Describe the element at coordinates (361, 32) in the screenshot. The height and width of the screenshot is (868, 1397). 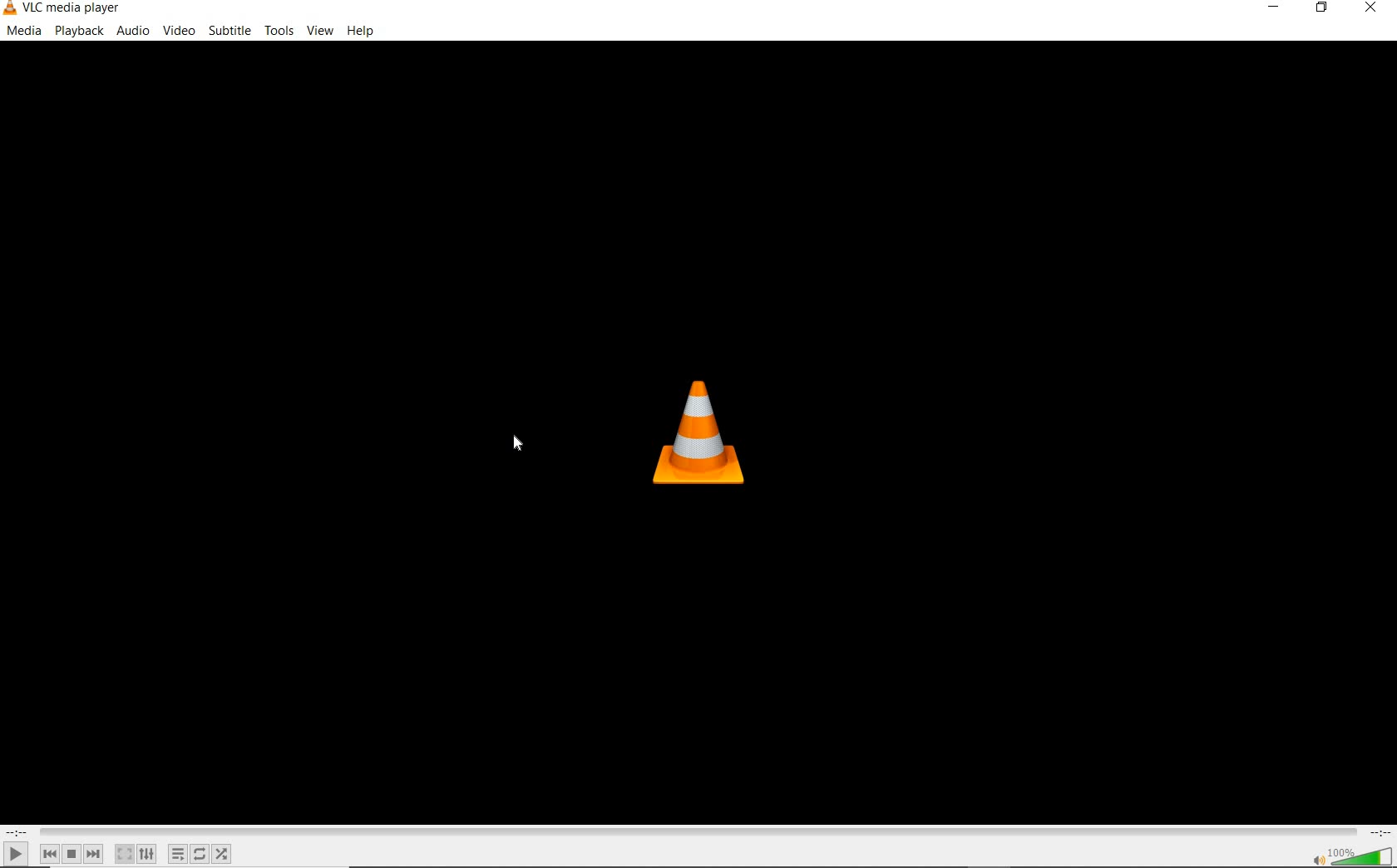
I see `help` at that location.